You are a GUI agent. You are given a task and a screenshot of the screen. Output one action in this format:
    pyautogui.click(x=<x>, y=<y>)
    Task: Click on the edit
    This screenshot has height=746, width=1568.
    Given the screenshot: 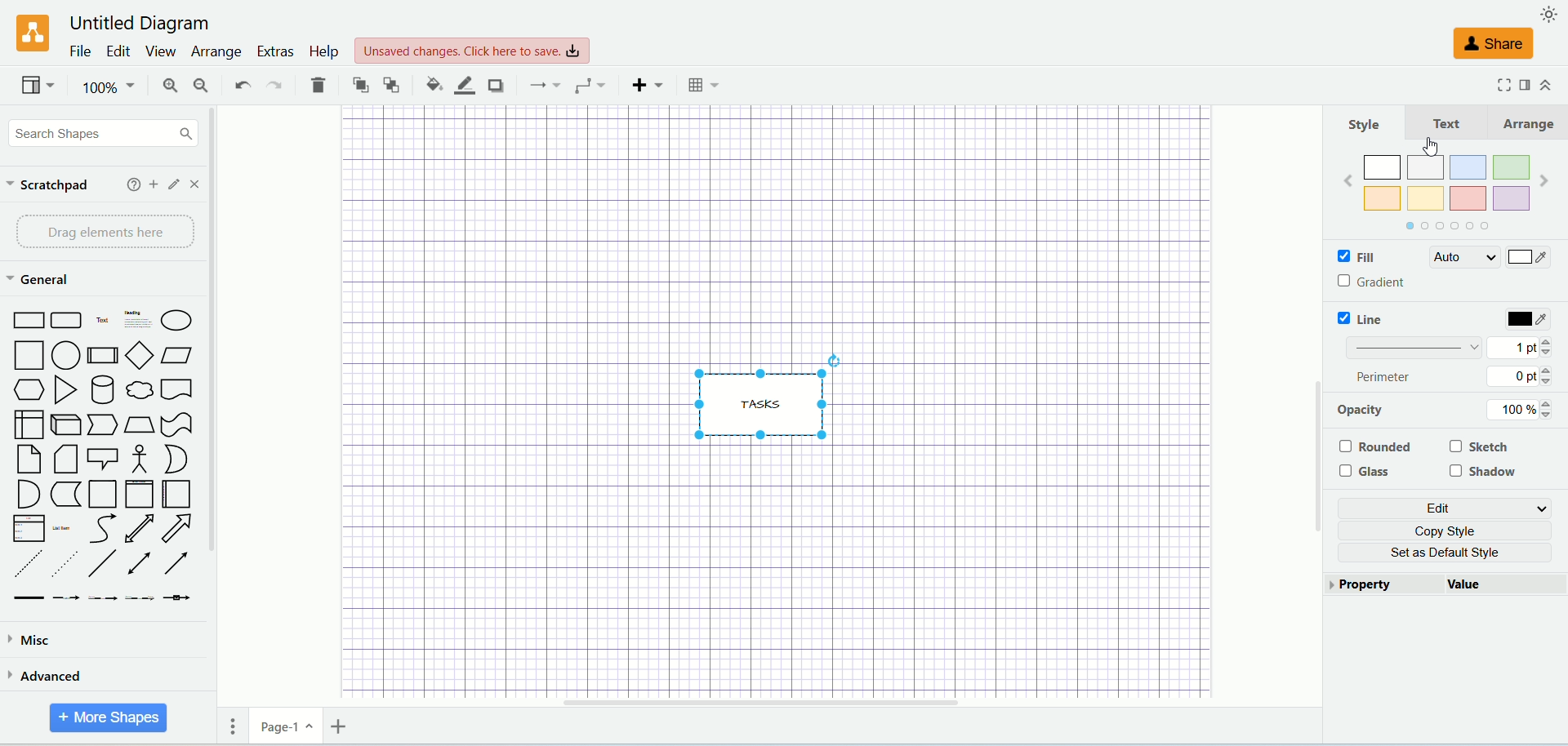 What is the action you would take?
    pyautogui.click(x=176, y=184)
    